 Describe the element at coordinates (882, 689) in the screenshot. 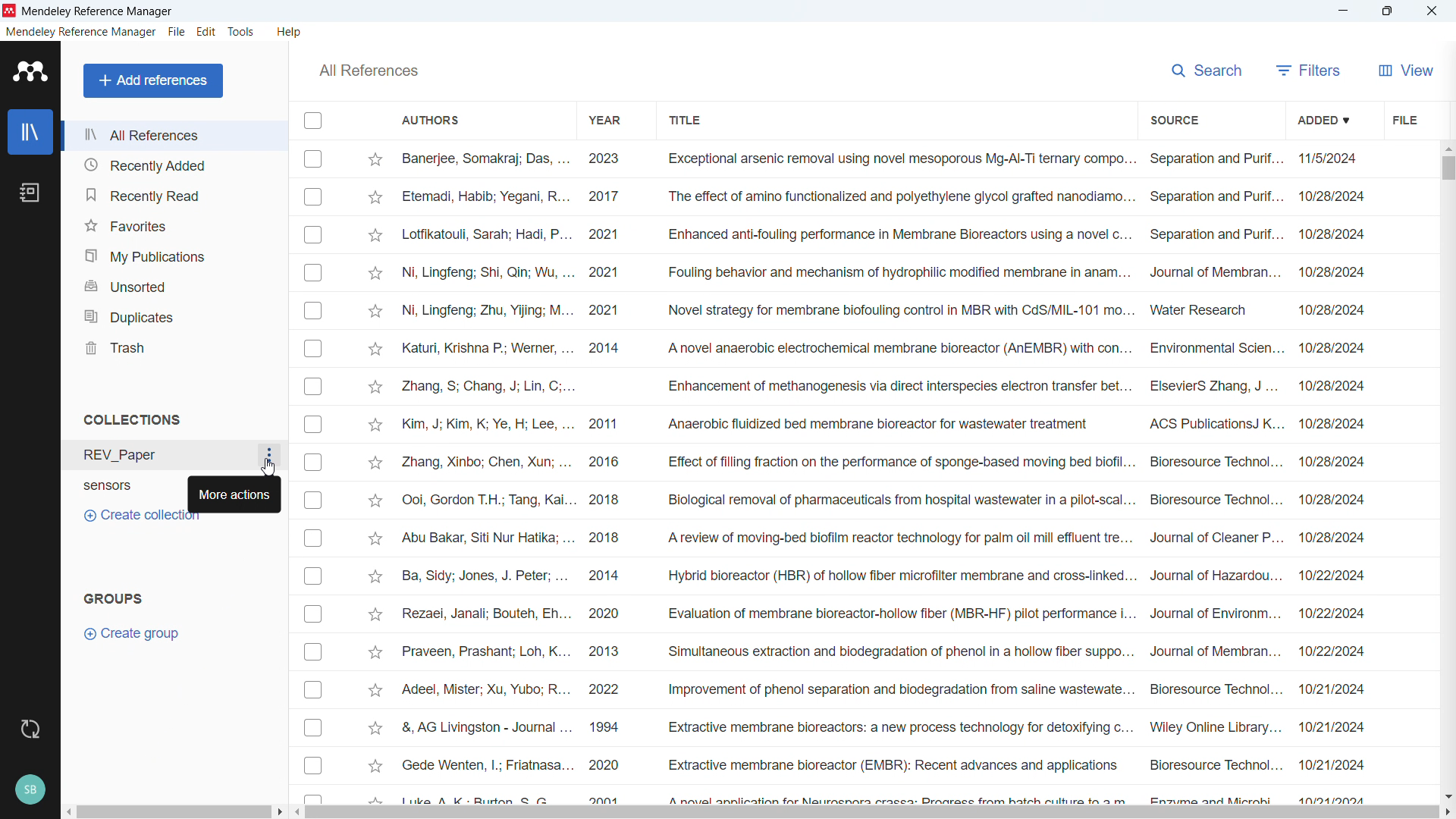

I see `Adeel, Mister; Xu, Yubo; R... 2022 Improvement of phenol separation and biodegradation from saline wastewate... Bioresource Technol... 10/21/2024` at that location.